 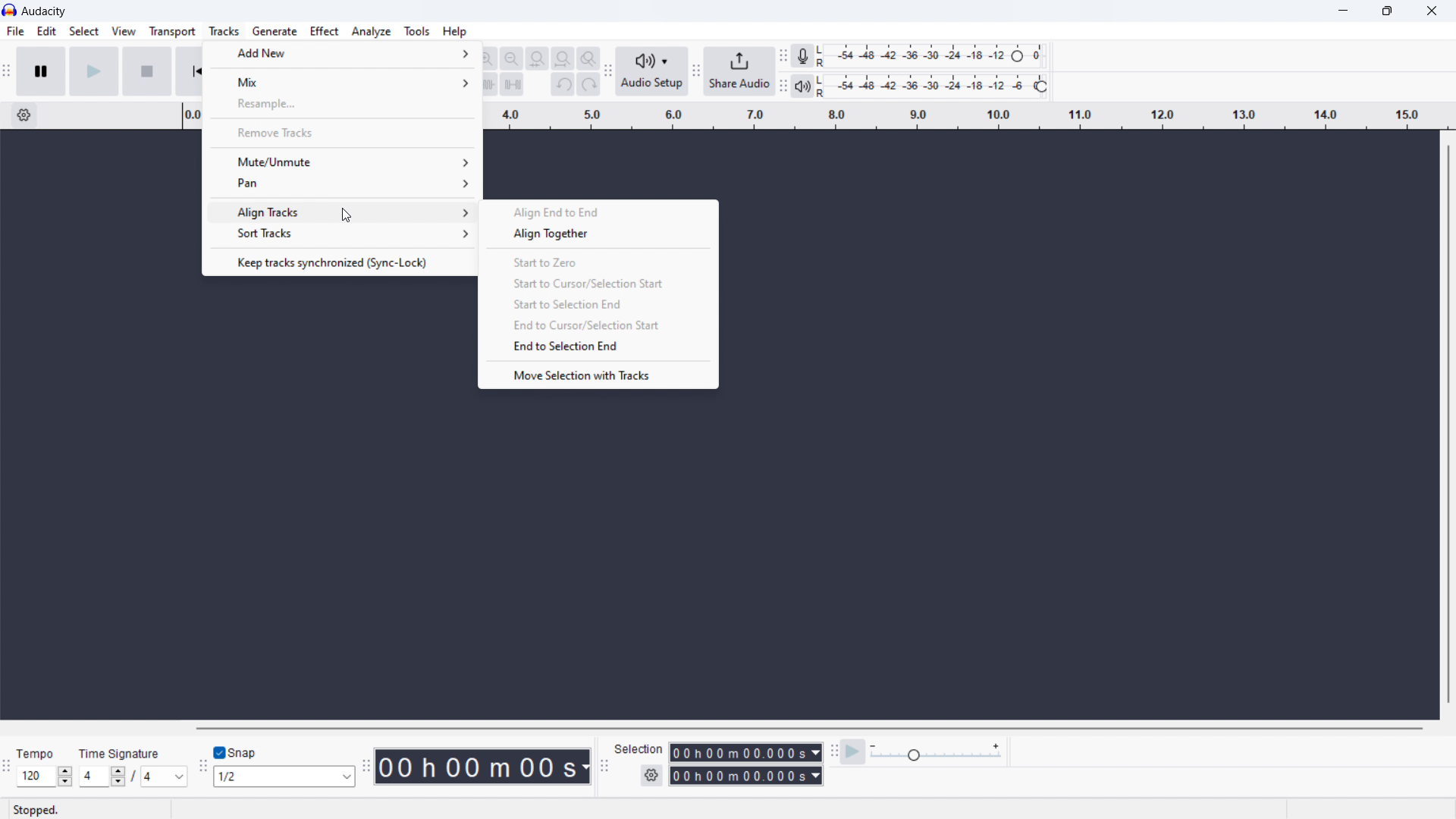 What do you see at coordinates (341, 54) in the screenshot?
I see `add new` at bounding box center [341, 54].